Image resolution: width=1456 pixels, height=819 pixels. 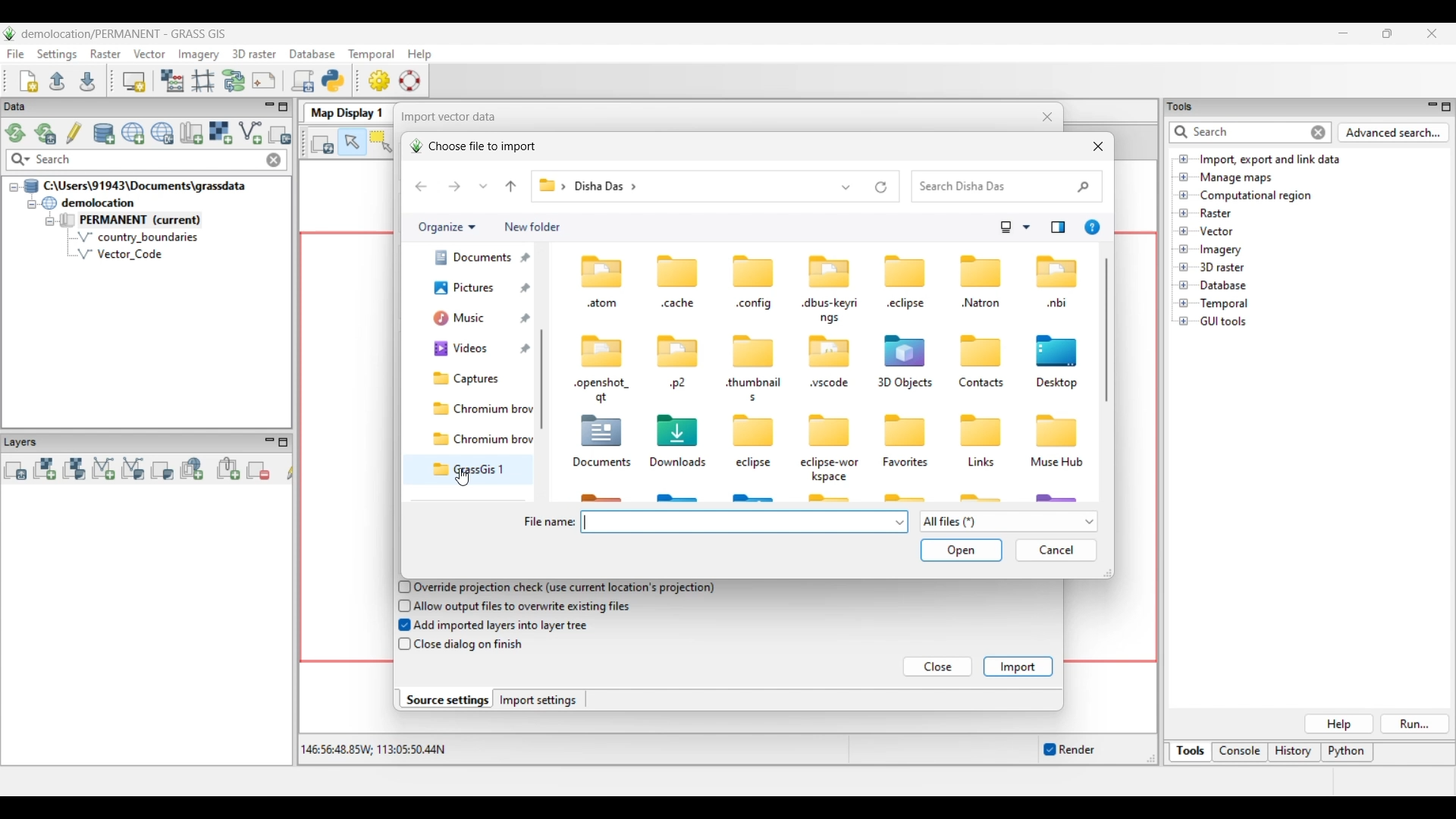 I want to click on Double click to collapse Permanent, so click(x=151, y=221).